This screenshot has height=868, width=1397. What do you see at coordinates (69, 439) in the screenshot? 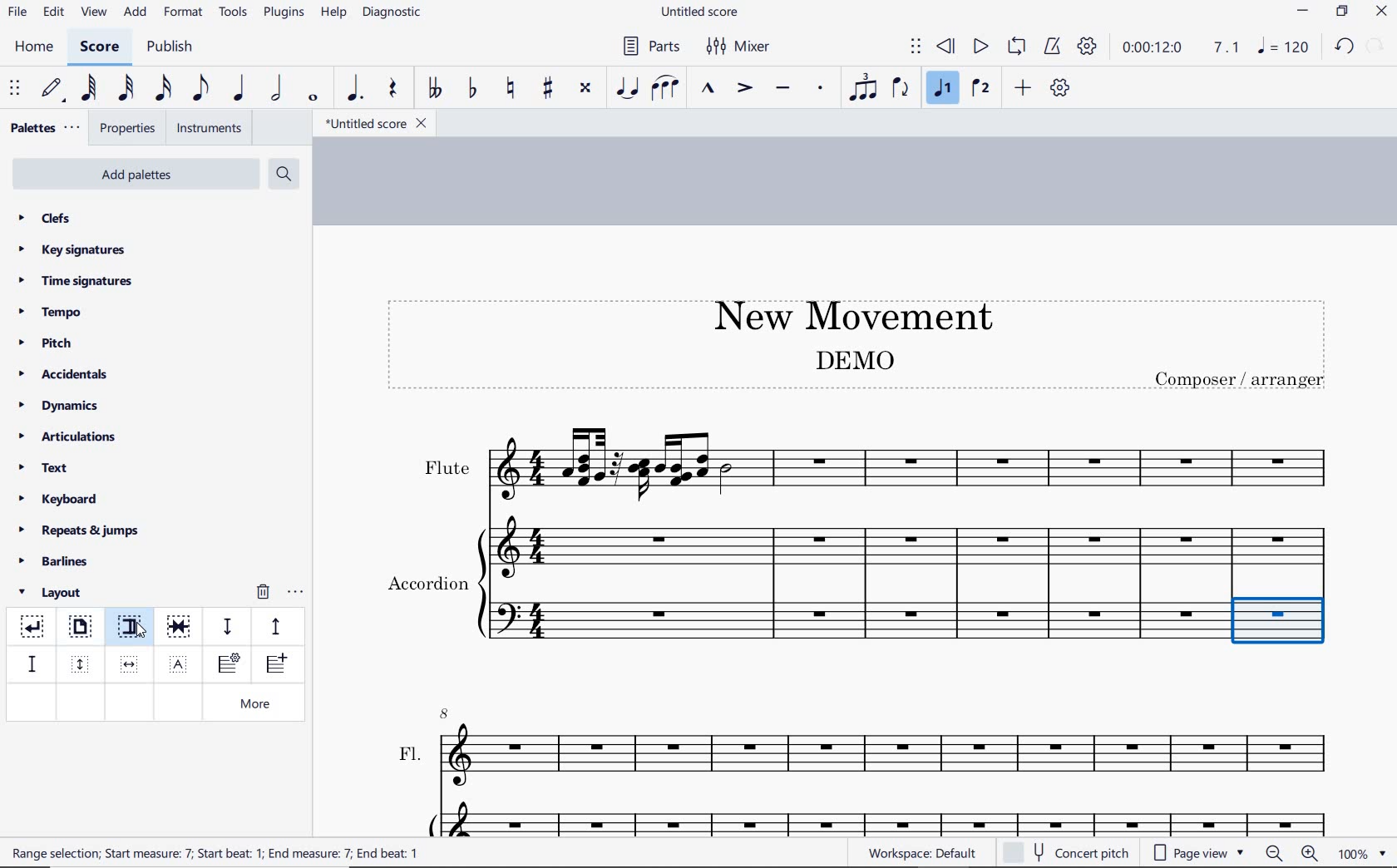
I see `articulations` at bounding box center [69, 439].